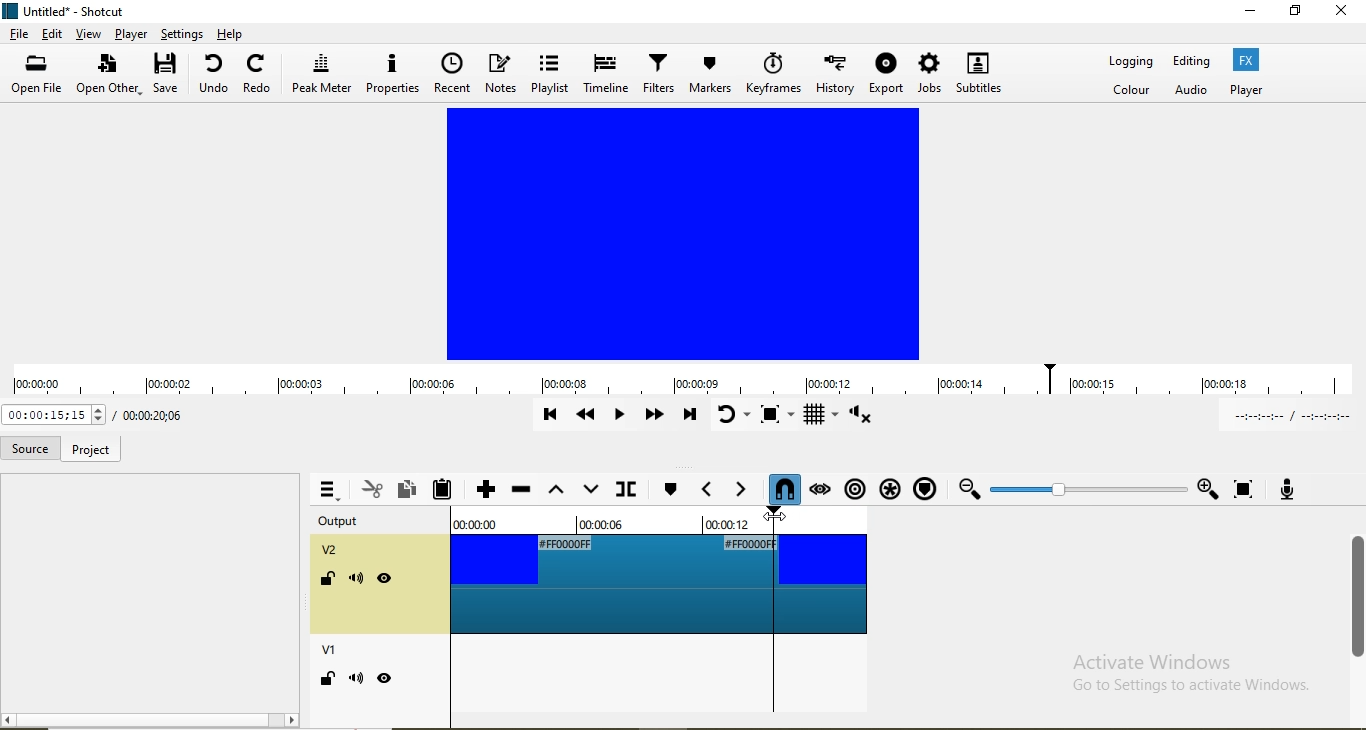 The image size is (1366, 730). Describe the element at coordinates (978, 72) in the screenshot. I see `subtitles` at that location.